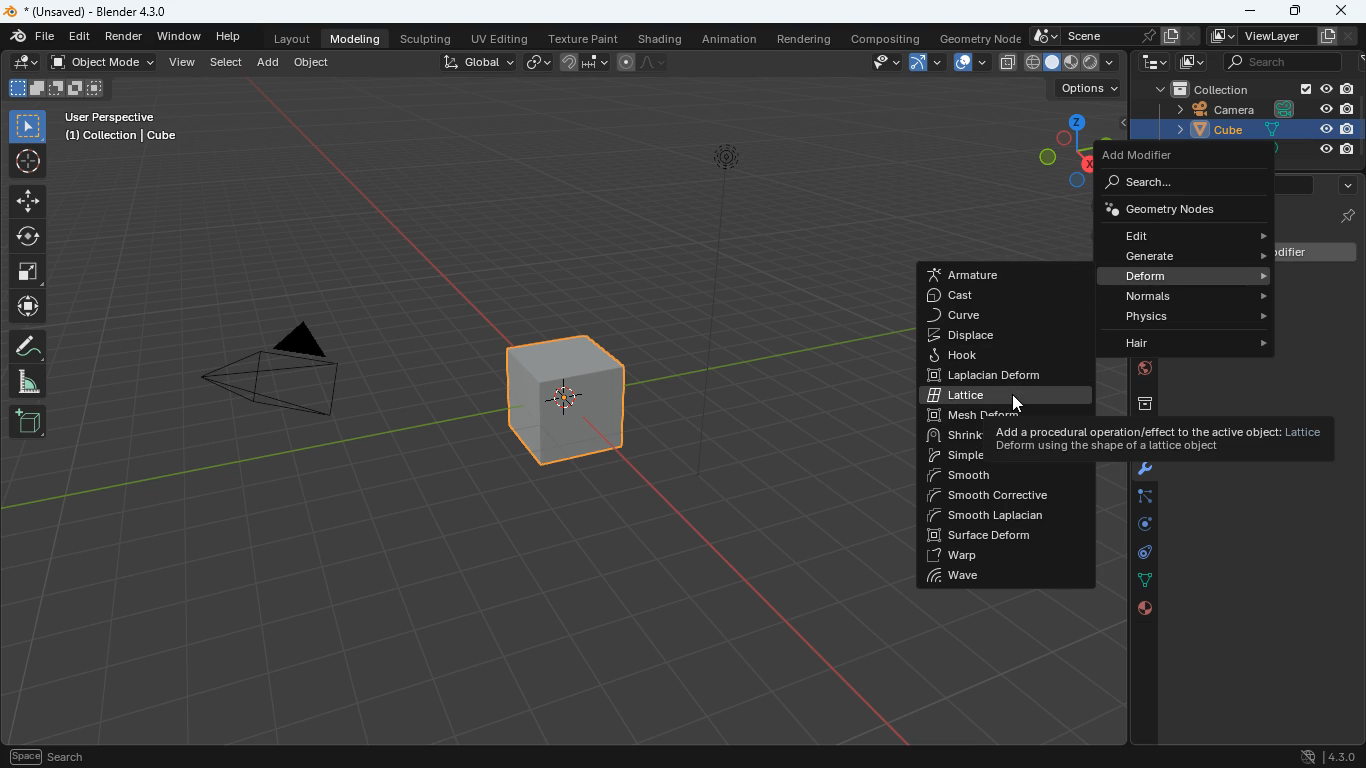  I want to click on geometry node, so click(982, 38).